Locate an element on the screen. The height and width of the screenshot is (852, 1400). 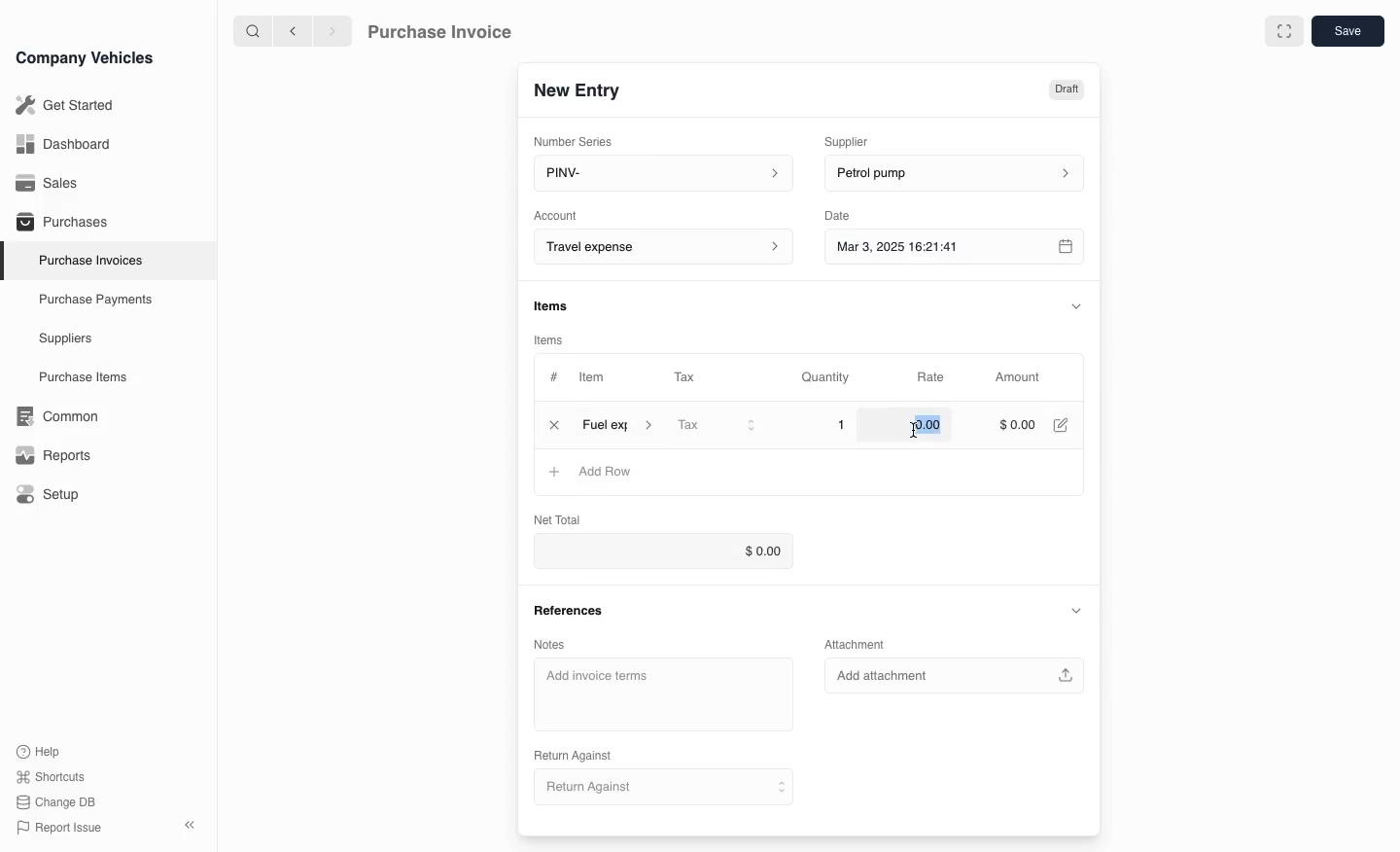
Item is located at coordinates (590, 379).